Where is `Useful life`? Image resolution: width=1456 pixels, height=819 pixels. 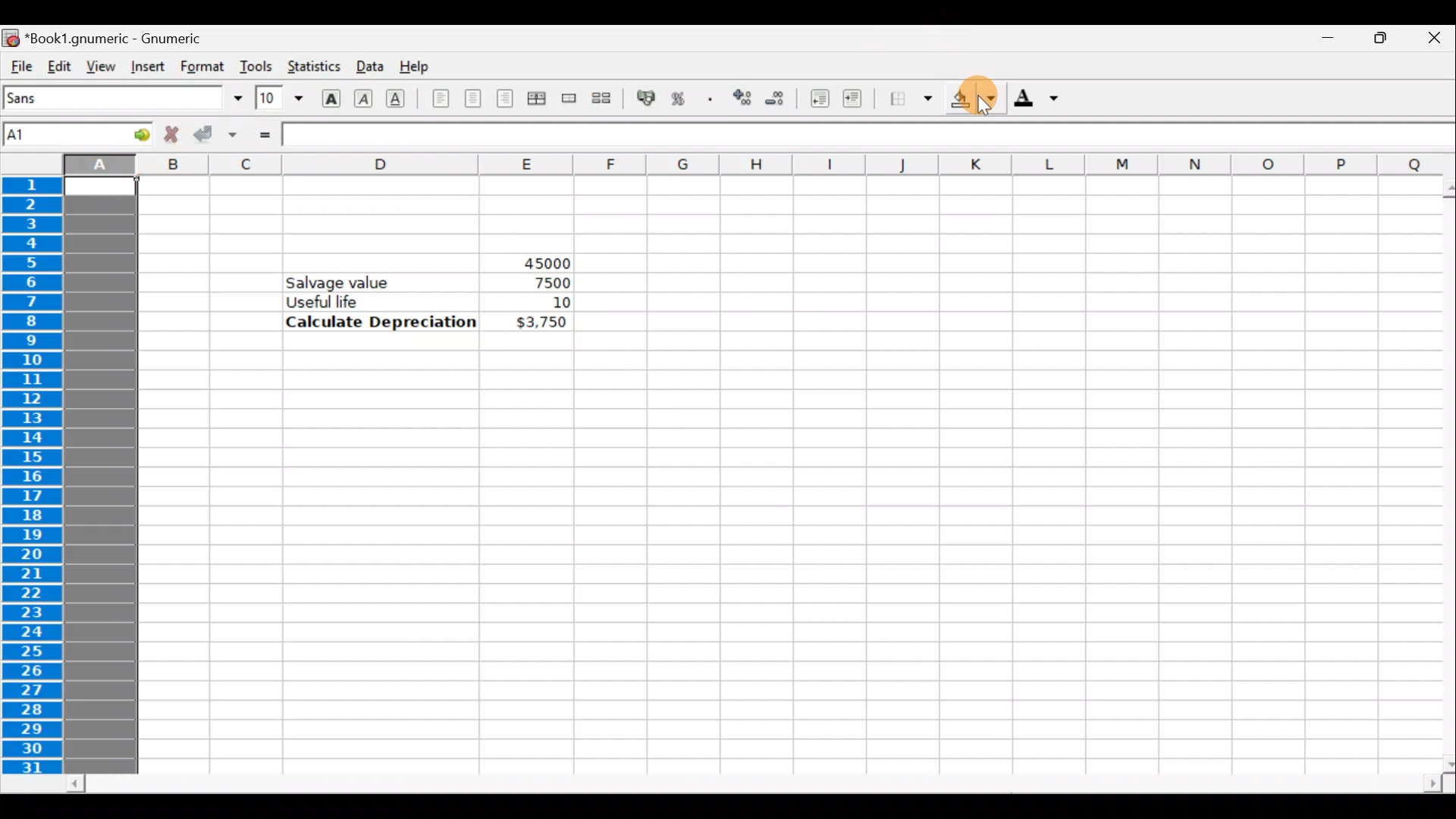 Useful life is located at coordinates (384, 301).